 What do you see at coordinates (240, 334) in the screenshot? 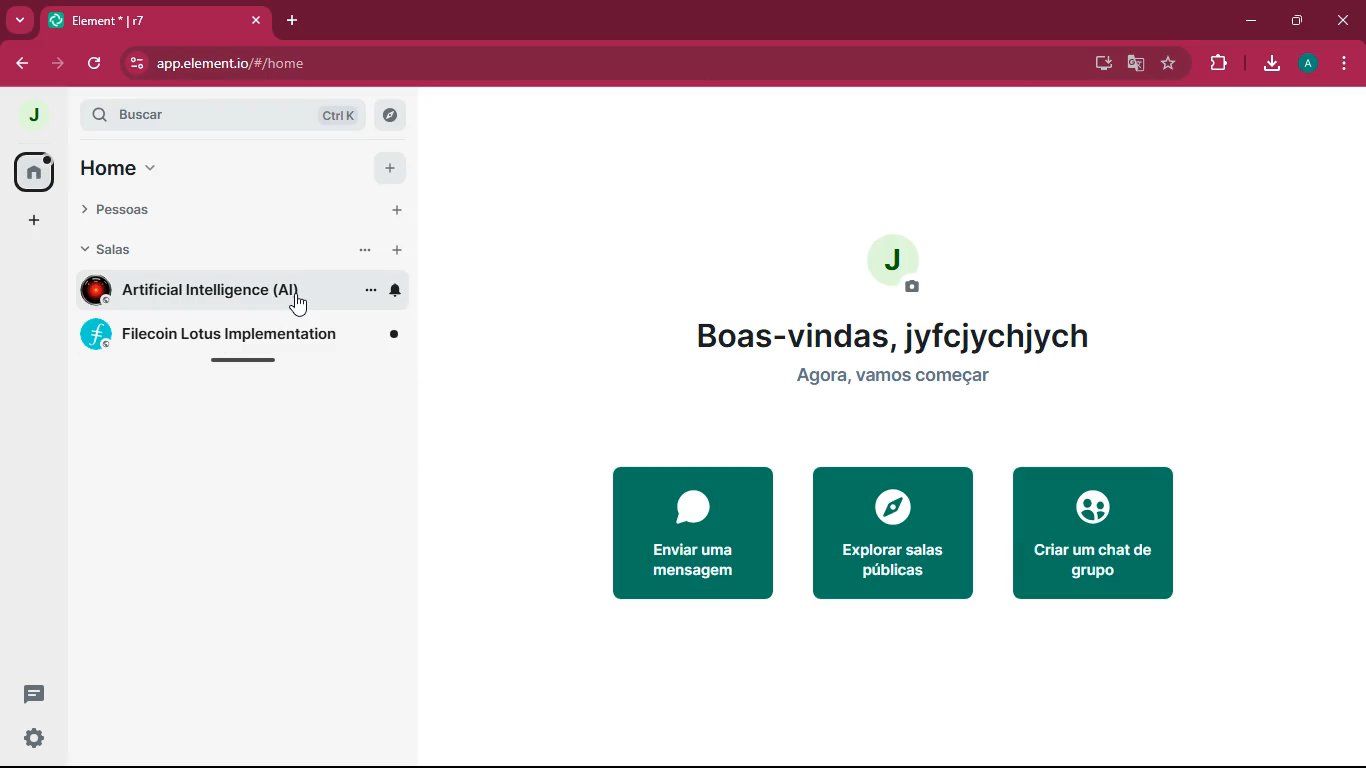
I see `filecoin lotus implementation` at bounding box center [240, 334].